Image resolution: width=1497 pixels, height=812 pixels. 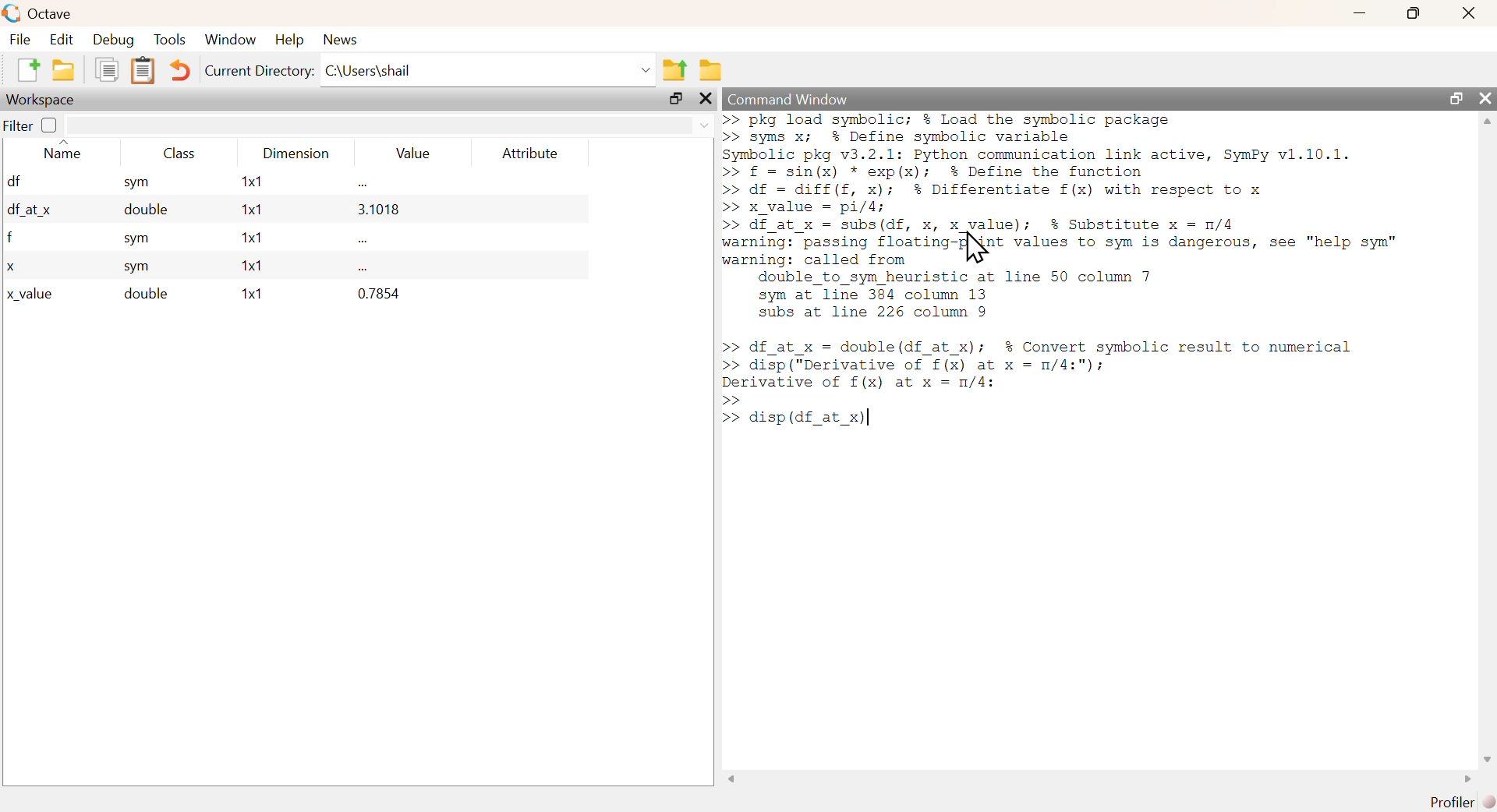 I want to click on df, so click(x=14, y=180).